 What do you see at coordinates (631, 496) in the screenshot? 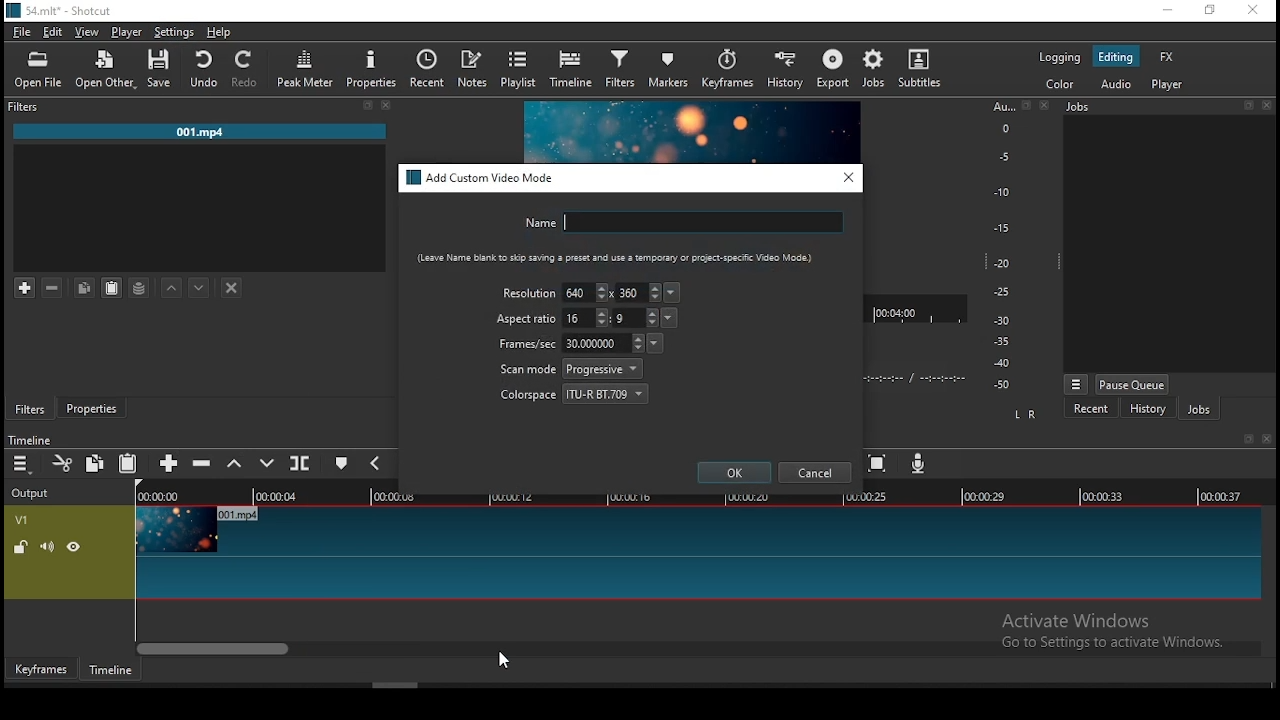
I see `00:00:16` at bounding box center [631, 496].